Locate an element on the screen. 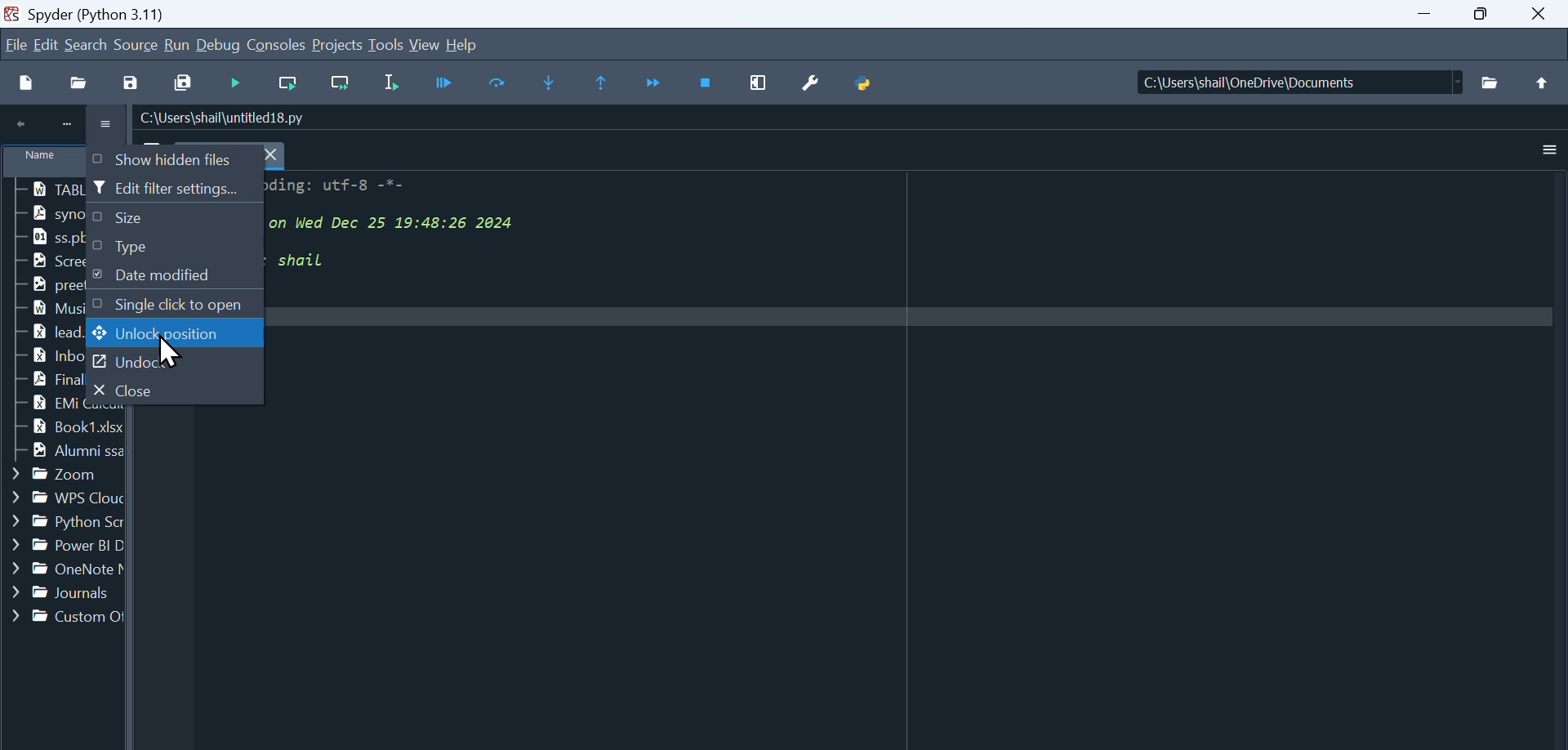 The height and width of the screenshot is (750, 1568). Music Rec.. is located at coordinates (38, 307).